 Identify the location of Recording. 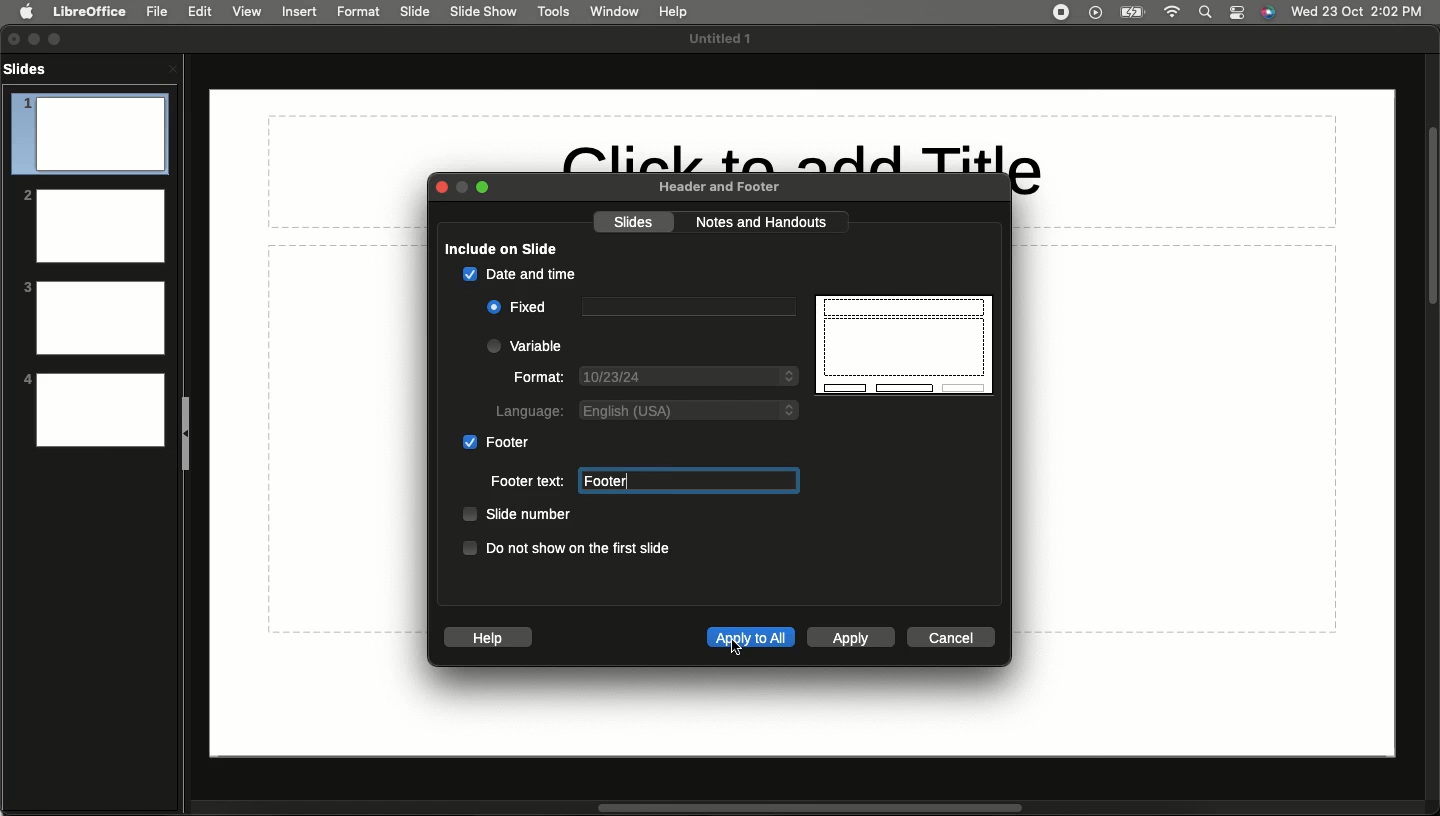
(1060, 11).